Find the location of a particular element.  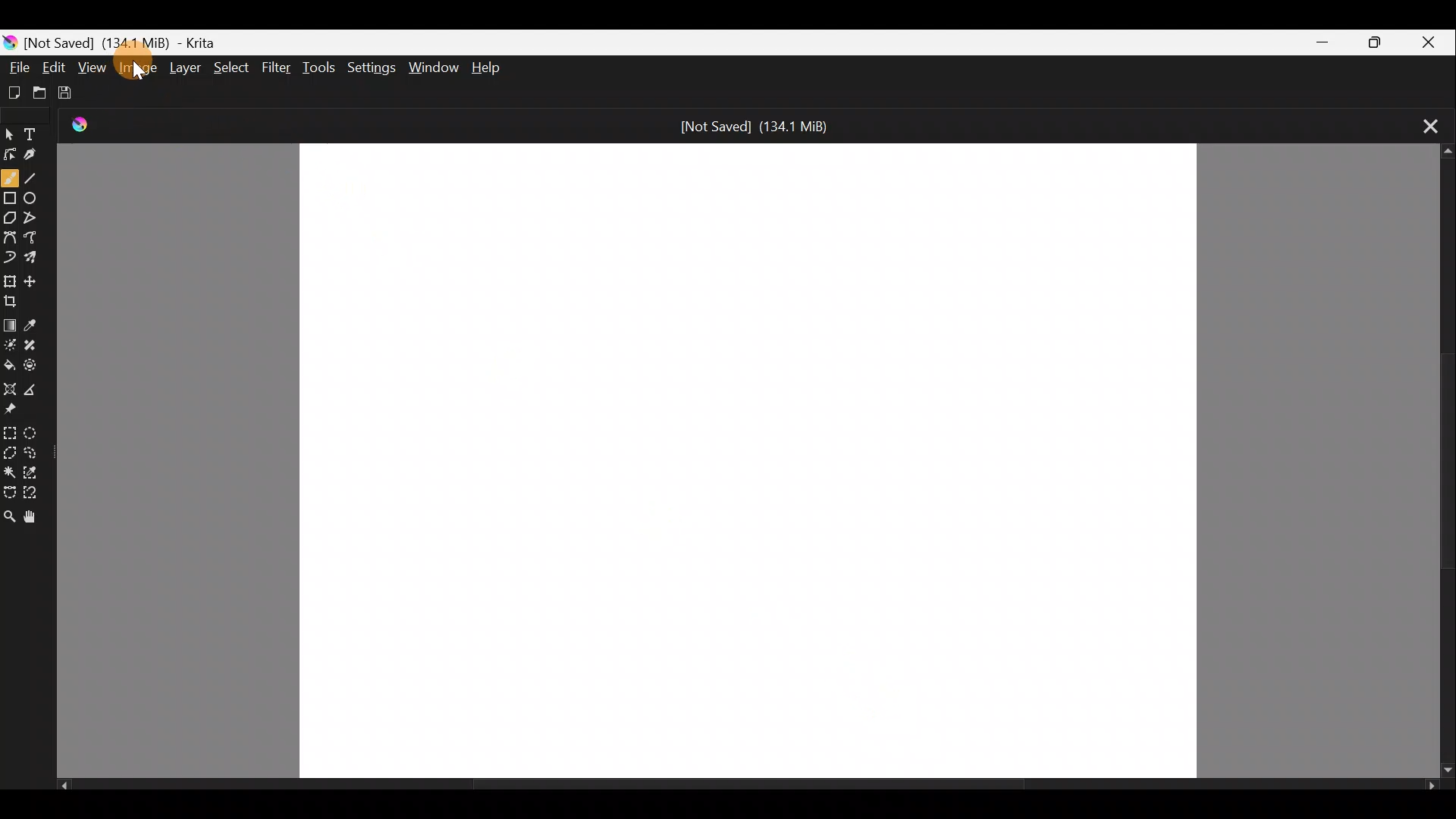

Magnetic curve selection tool is located at coordinates (37, 494).